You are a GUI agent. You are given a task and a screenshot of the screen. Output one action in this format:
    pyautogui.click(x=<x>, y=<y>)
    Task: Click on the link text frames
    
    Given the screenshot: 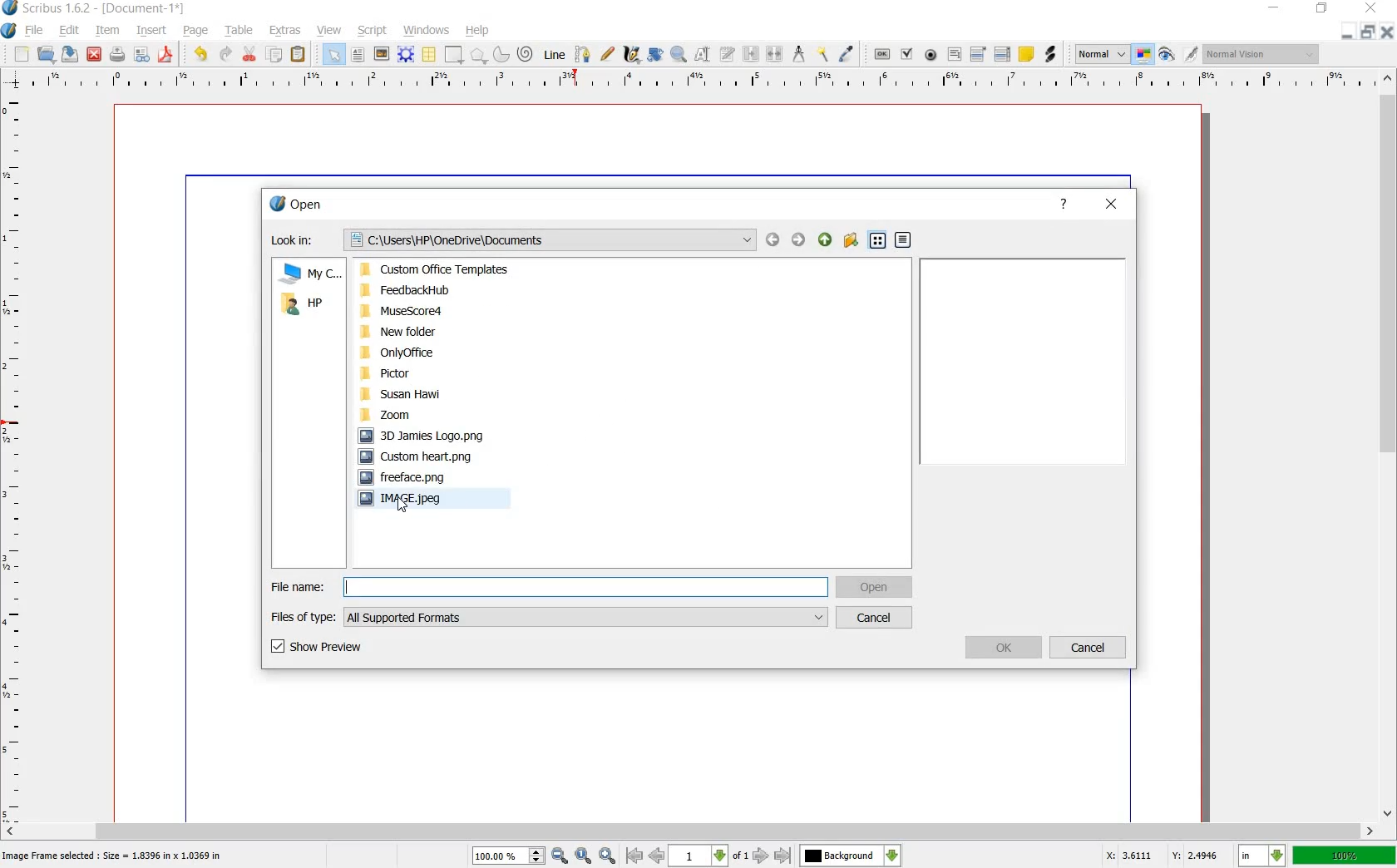 What is the action you would take?
    pyautogui.click(x=750, y=53)
    